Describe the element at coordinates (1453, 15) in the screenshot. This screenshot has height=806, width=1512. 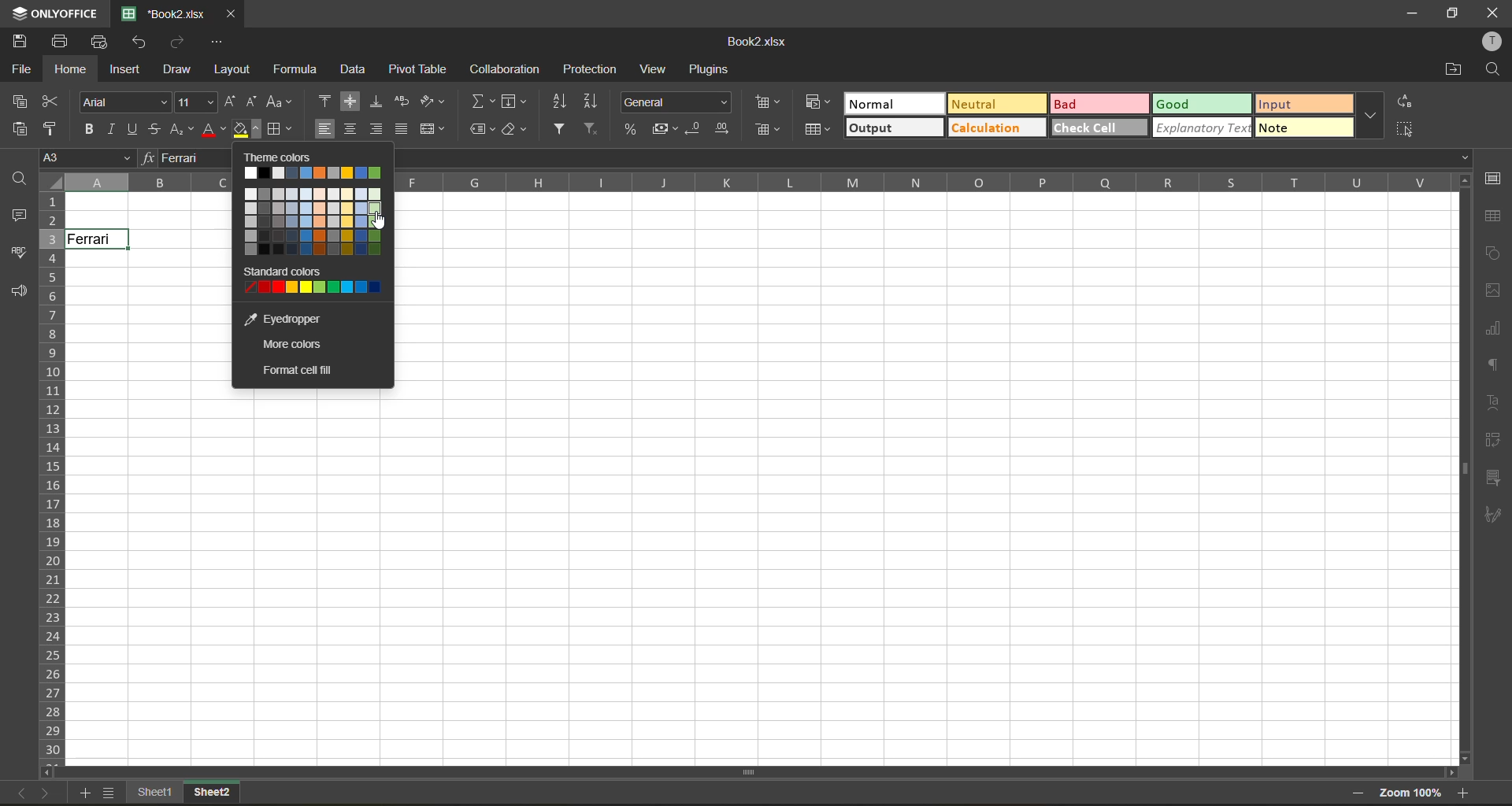
I see `maximize` at that location.